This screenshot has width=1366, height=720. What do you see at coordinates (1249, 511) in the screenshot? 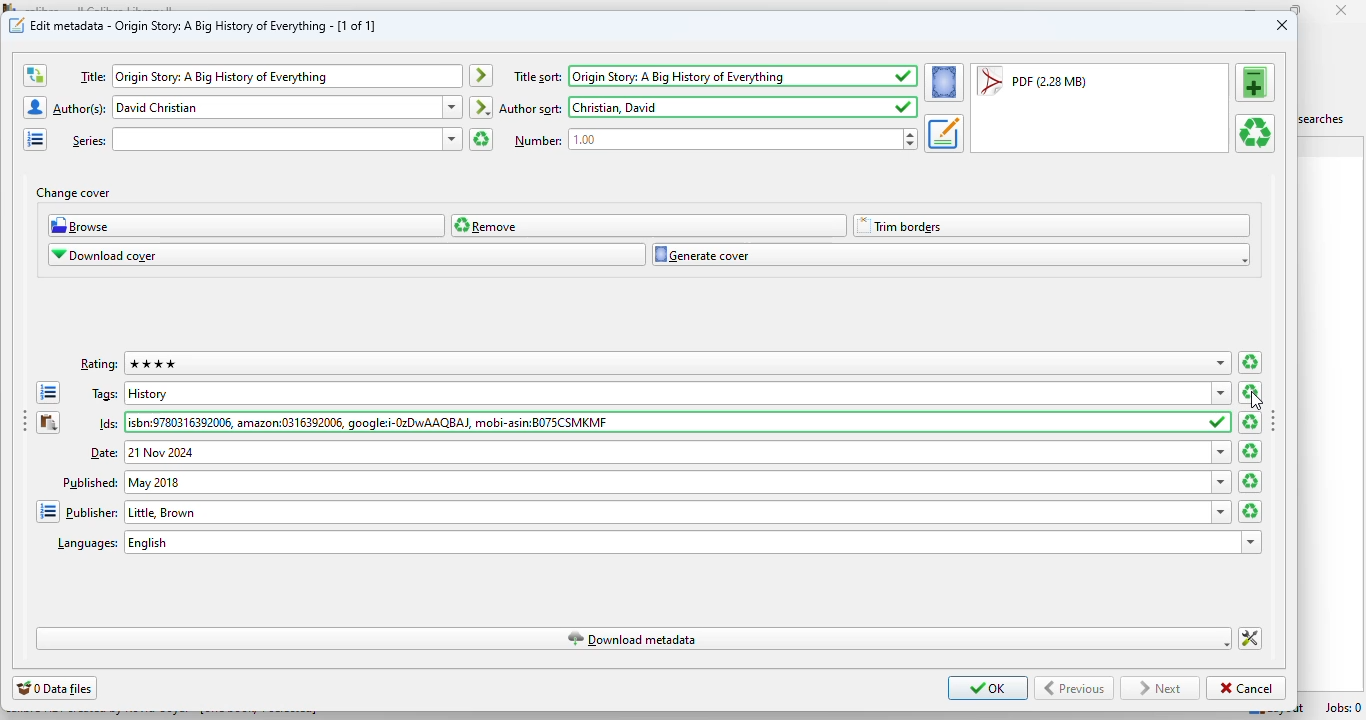
I see `clear publisher` at bounding box center [1249, 511].